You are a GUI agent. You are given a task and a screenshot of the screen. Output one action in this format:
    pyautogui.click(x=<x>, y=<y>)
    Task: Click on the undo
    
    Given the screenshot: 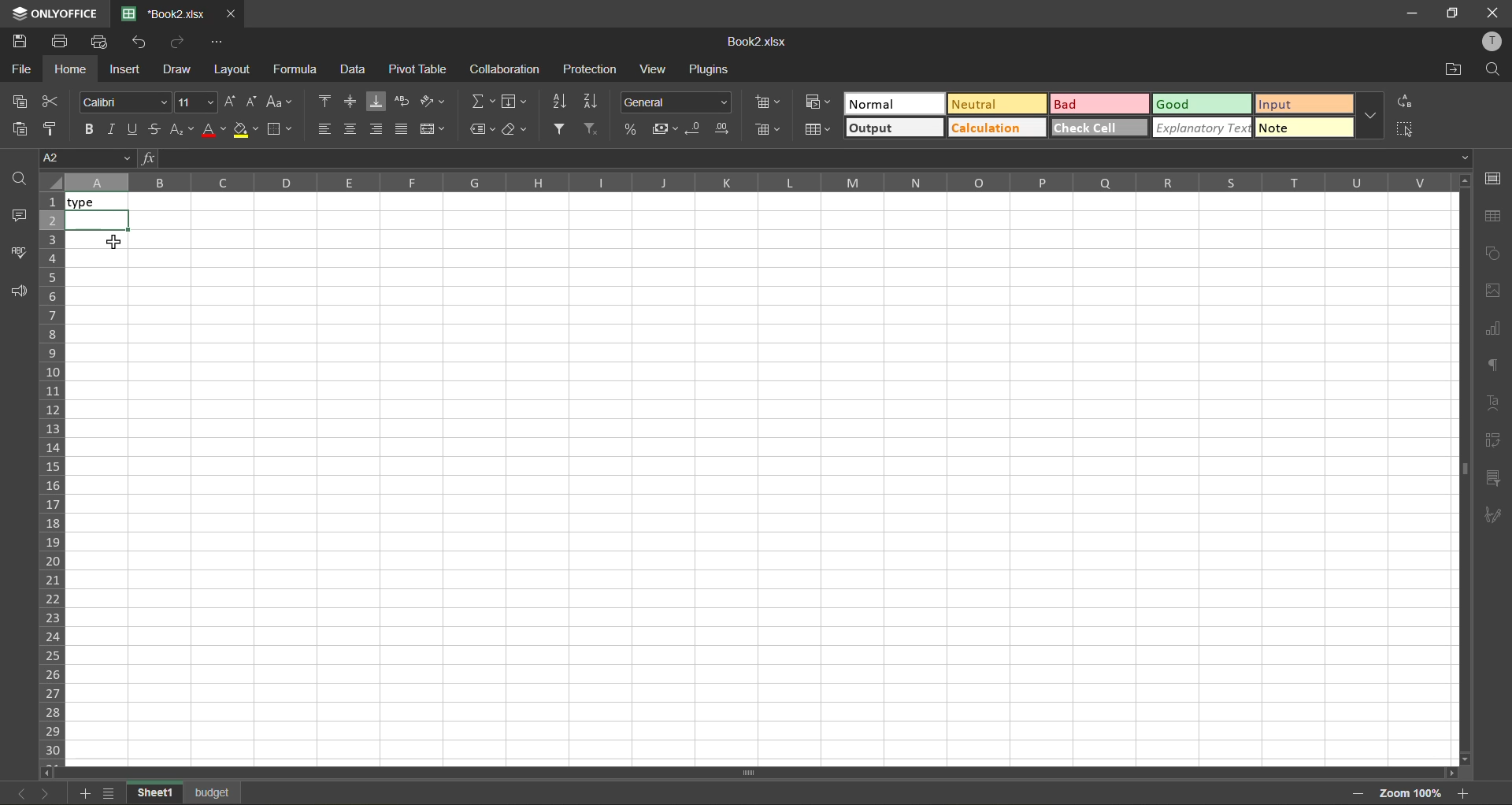 What is the action you would take?
    pyautogui.click(x=143, y=42)
    